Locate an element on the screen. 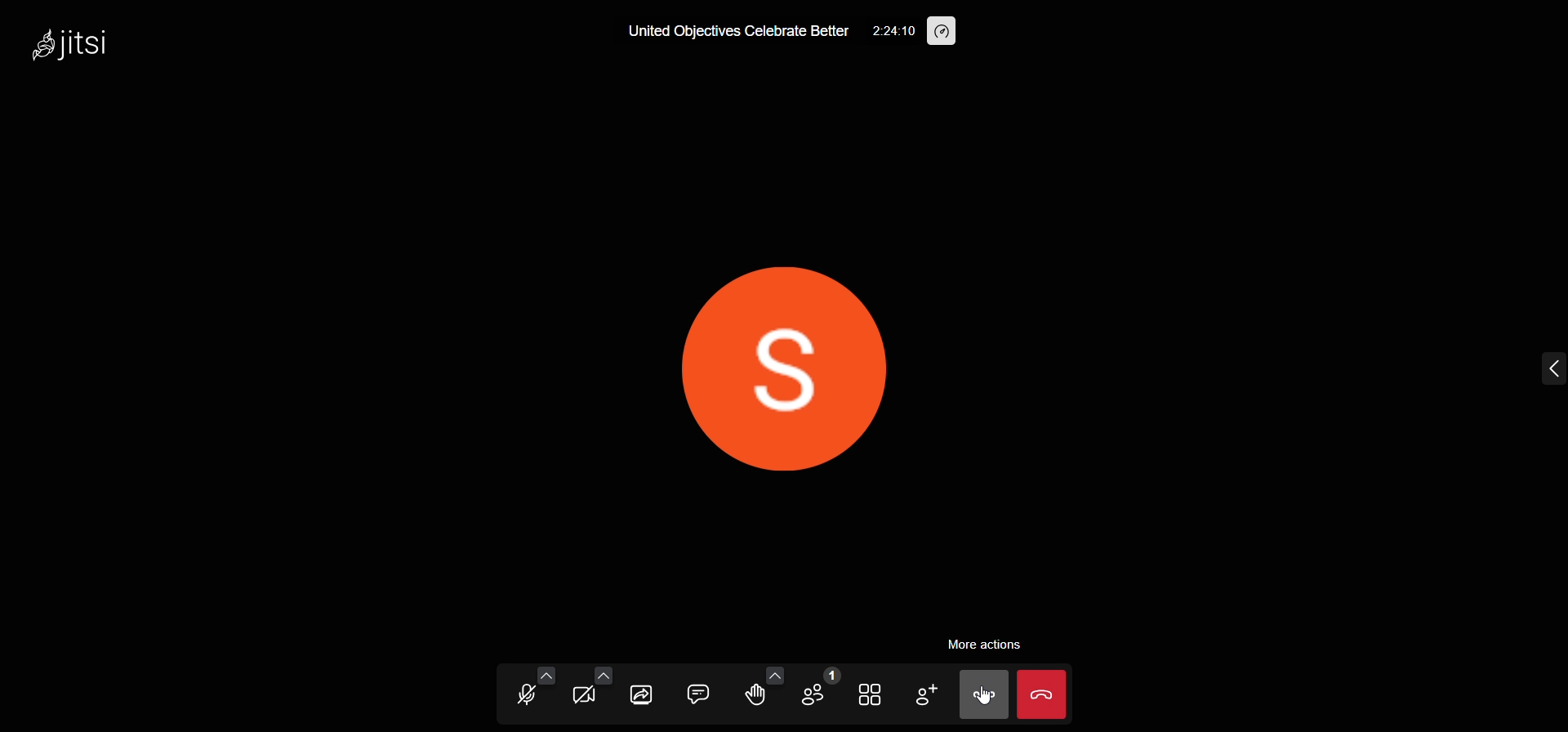  video is located at coordinates (583, 699).